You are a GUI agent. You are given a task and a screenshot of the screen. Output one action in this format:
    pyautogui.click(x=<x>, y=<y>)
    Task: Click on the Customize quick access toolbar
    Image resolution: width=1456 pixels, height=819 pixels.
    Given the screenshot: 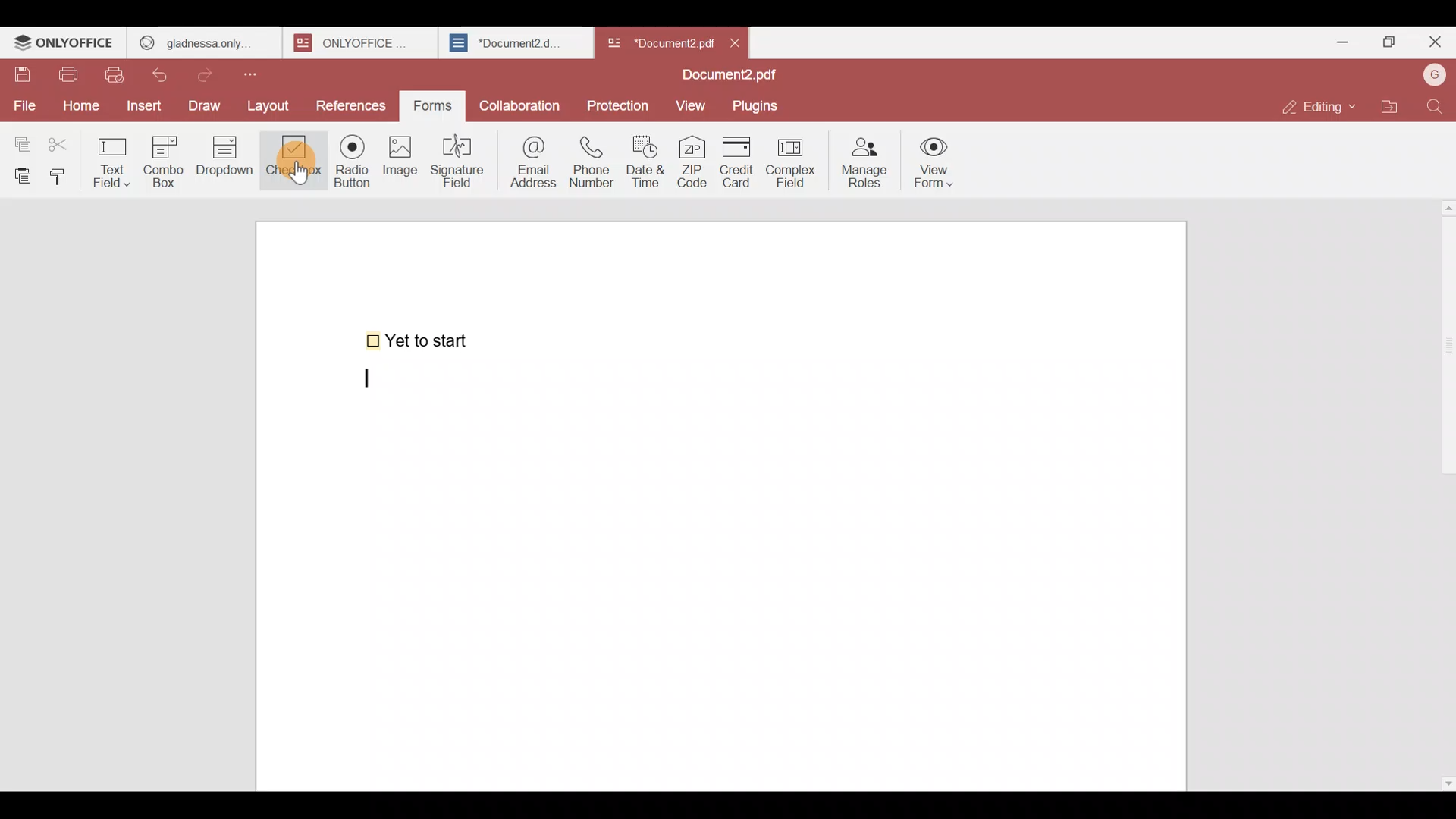 What is the action you would take?
    pyautogui.click(x=263, y=71)
    